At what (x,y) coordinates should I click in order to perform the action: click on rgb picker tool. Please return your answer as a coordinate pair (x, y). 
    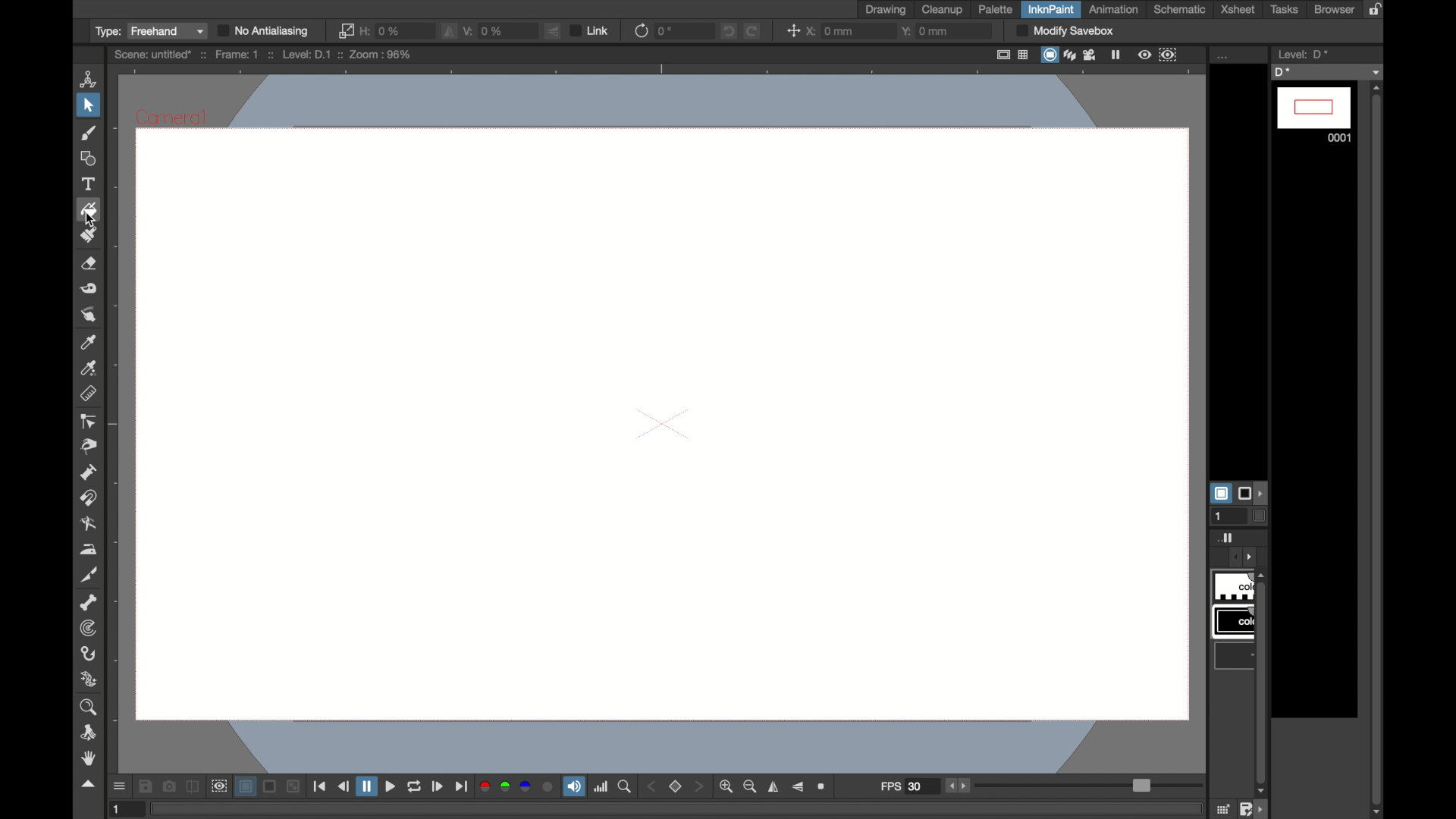
    Looking at the image, I should click on (89, 369).